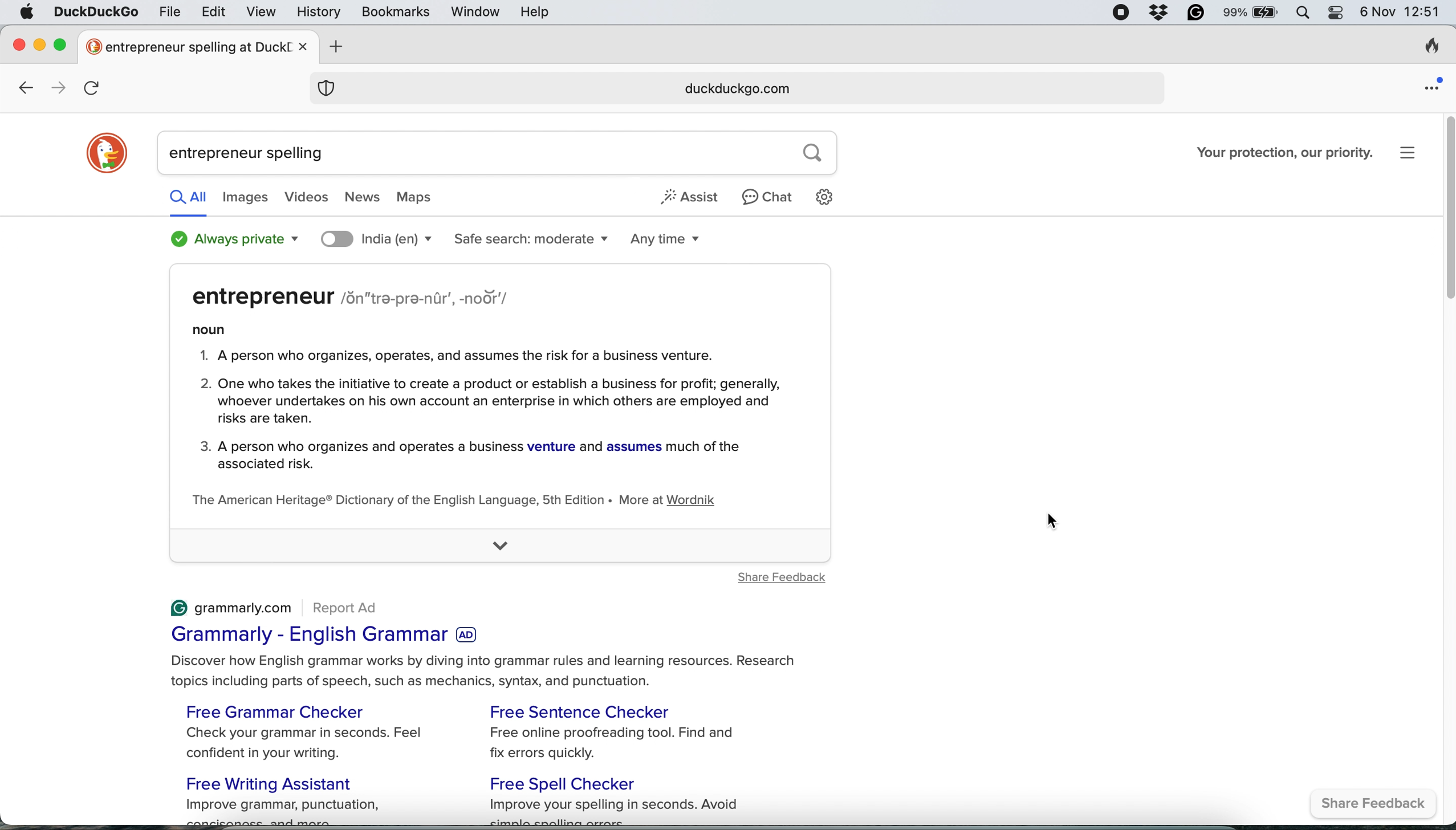 The image size is (1456, 830). I want to click on grammarly, so click(1194, 13).